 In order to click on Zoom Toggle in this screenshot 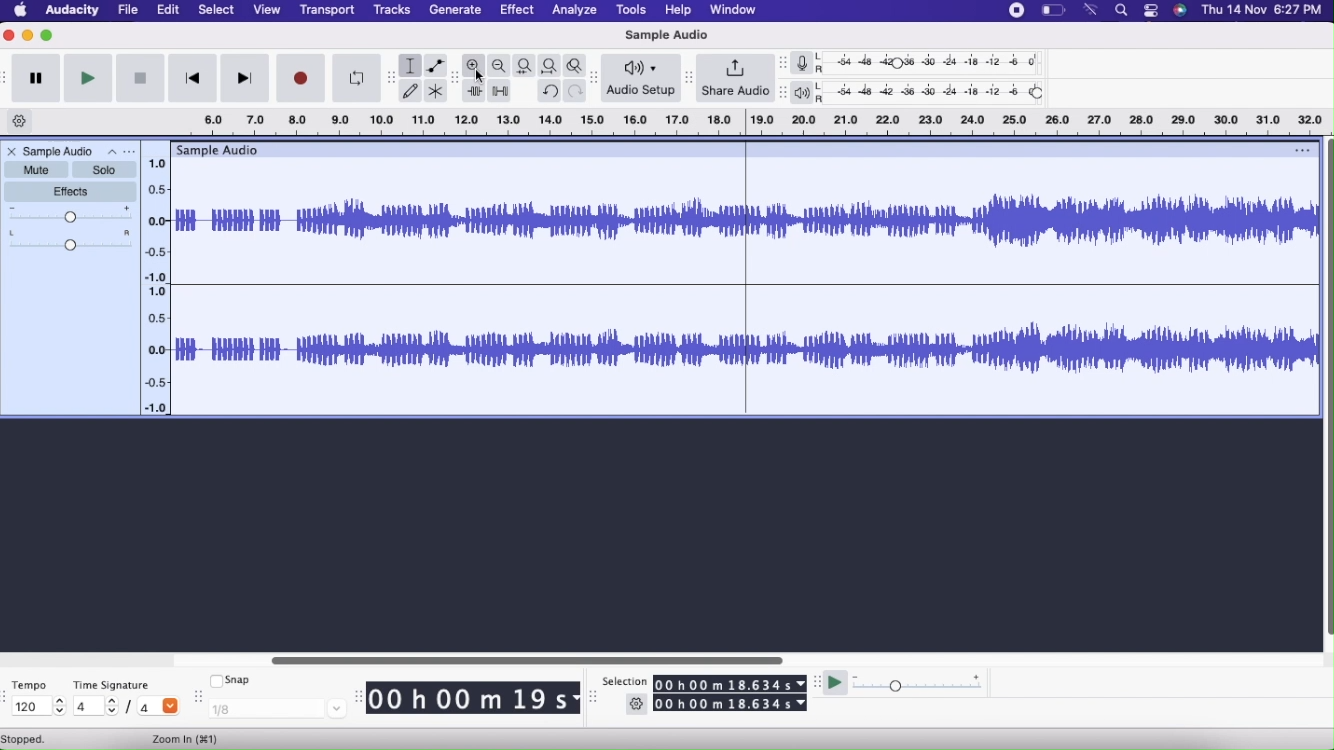, I will do `click(574, 66)`.